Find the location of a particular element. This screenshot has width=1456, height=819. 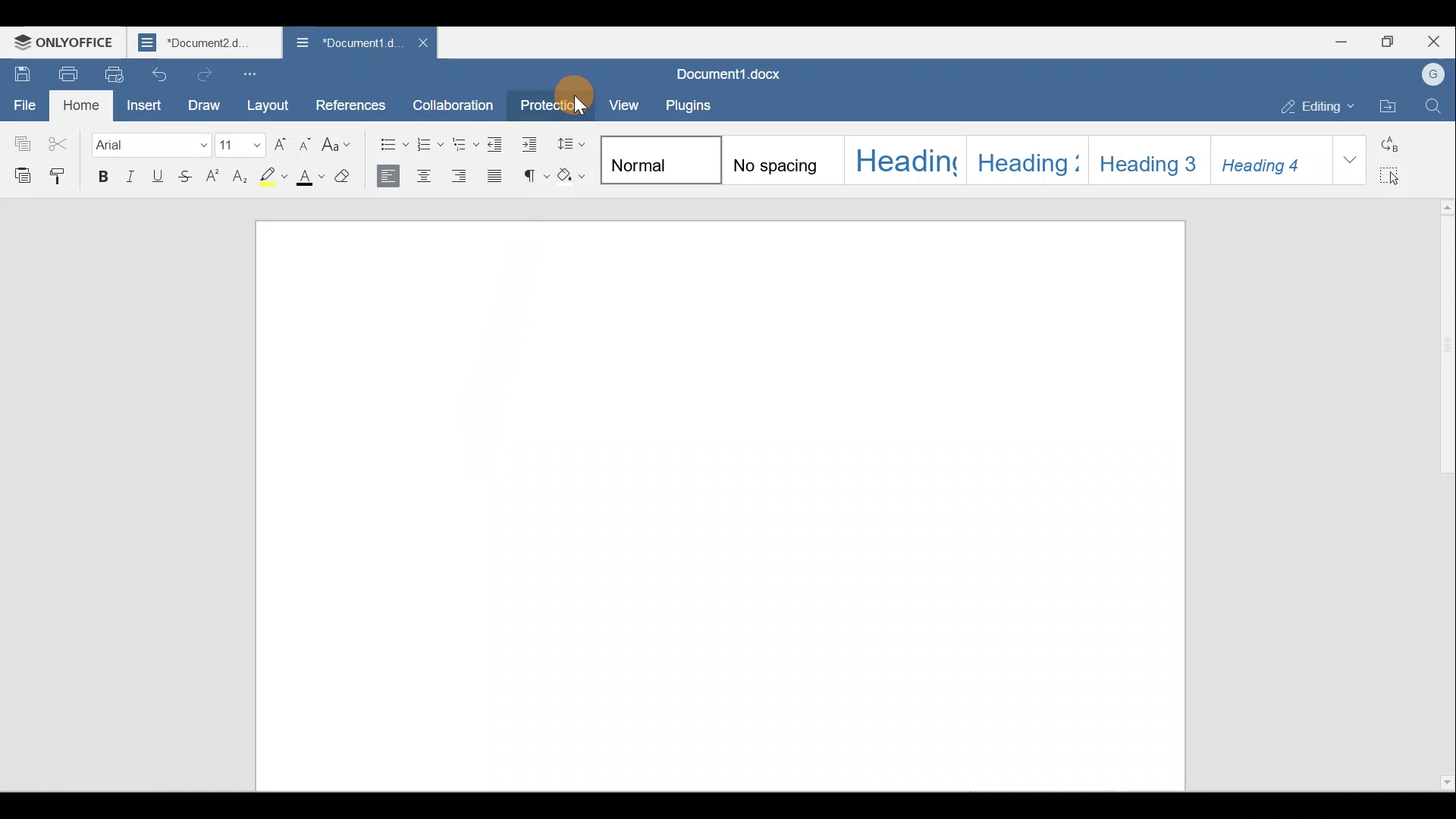

Increase font size is located at coordinates (281, 143).